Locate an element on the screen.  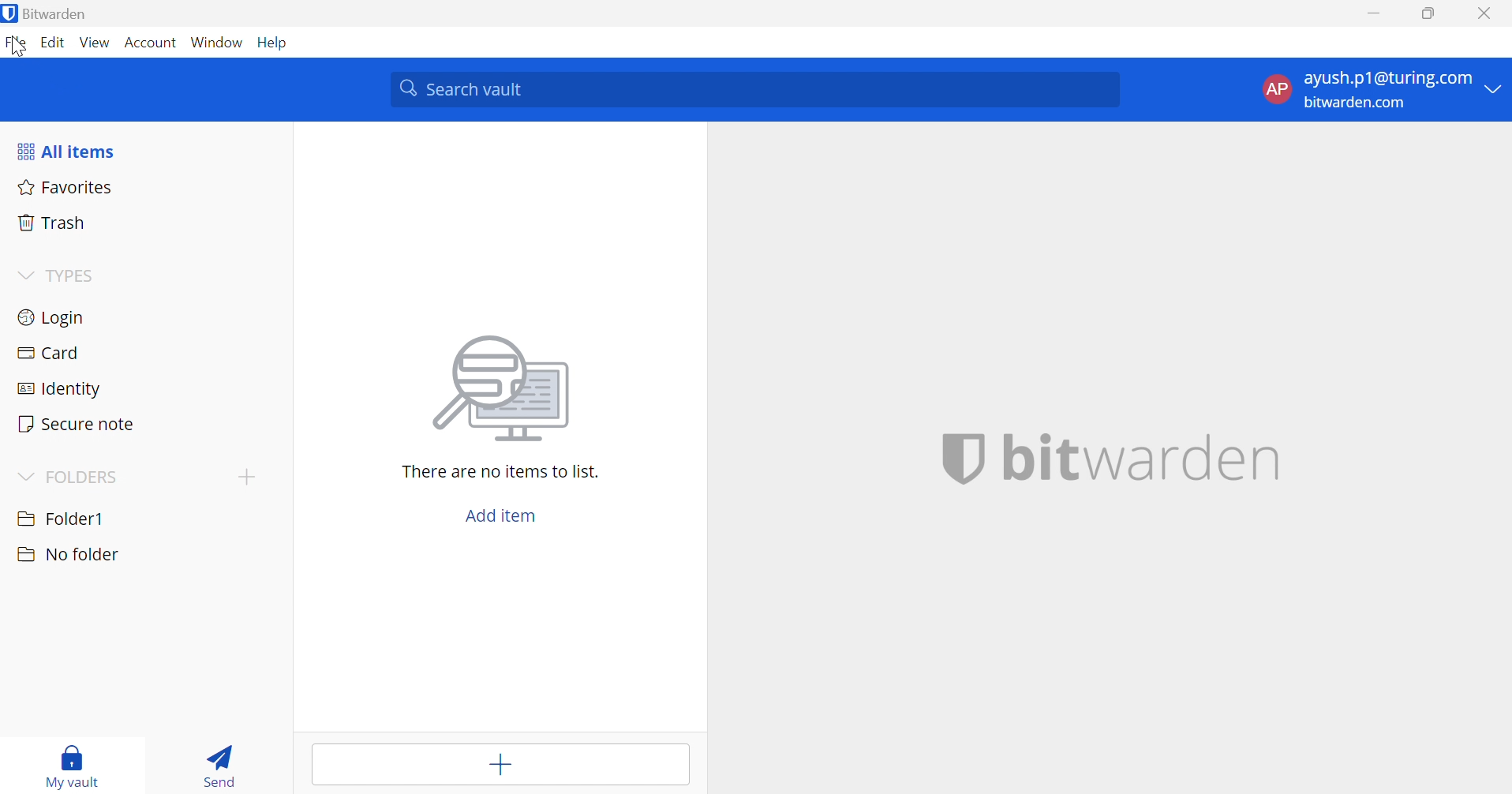
Help is located at coordinates (276, 43).